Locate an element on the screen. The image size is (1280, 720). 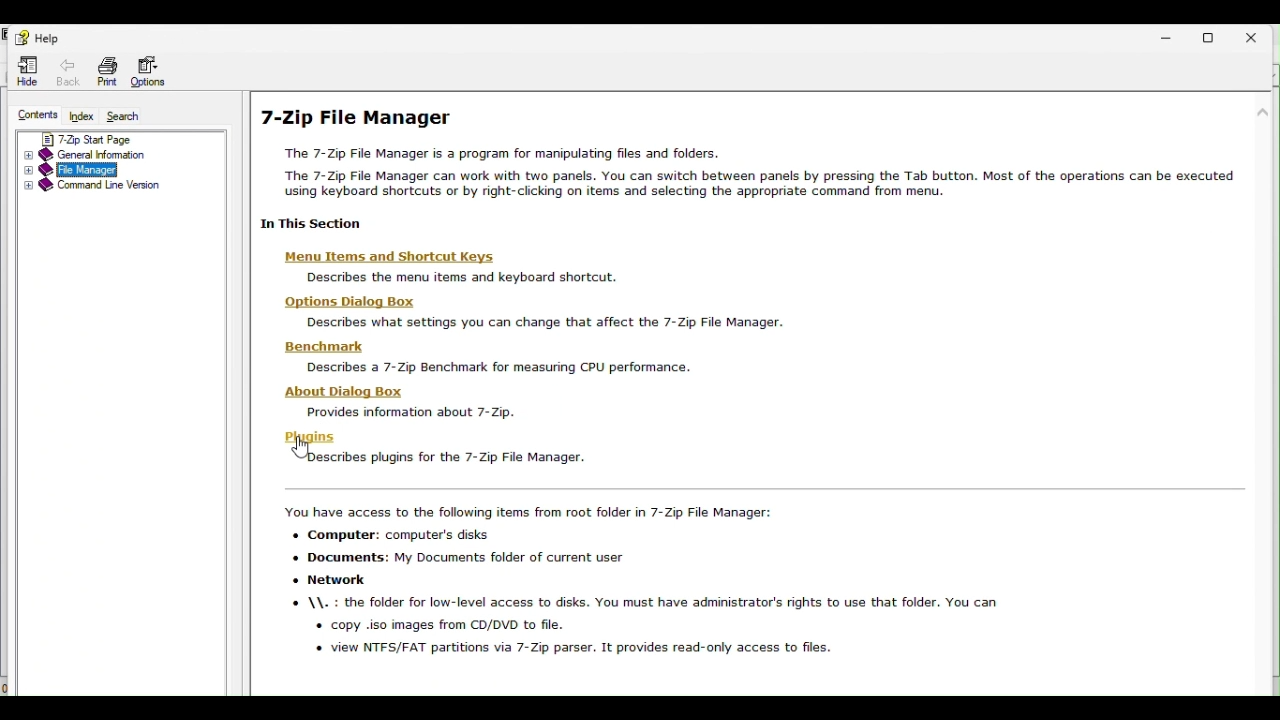
click is located at coordinates (300, 450).